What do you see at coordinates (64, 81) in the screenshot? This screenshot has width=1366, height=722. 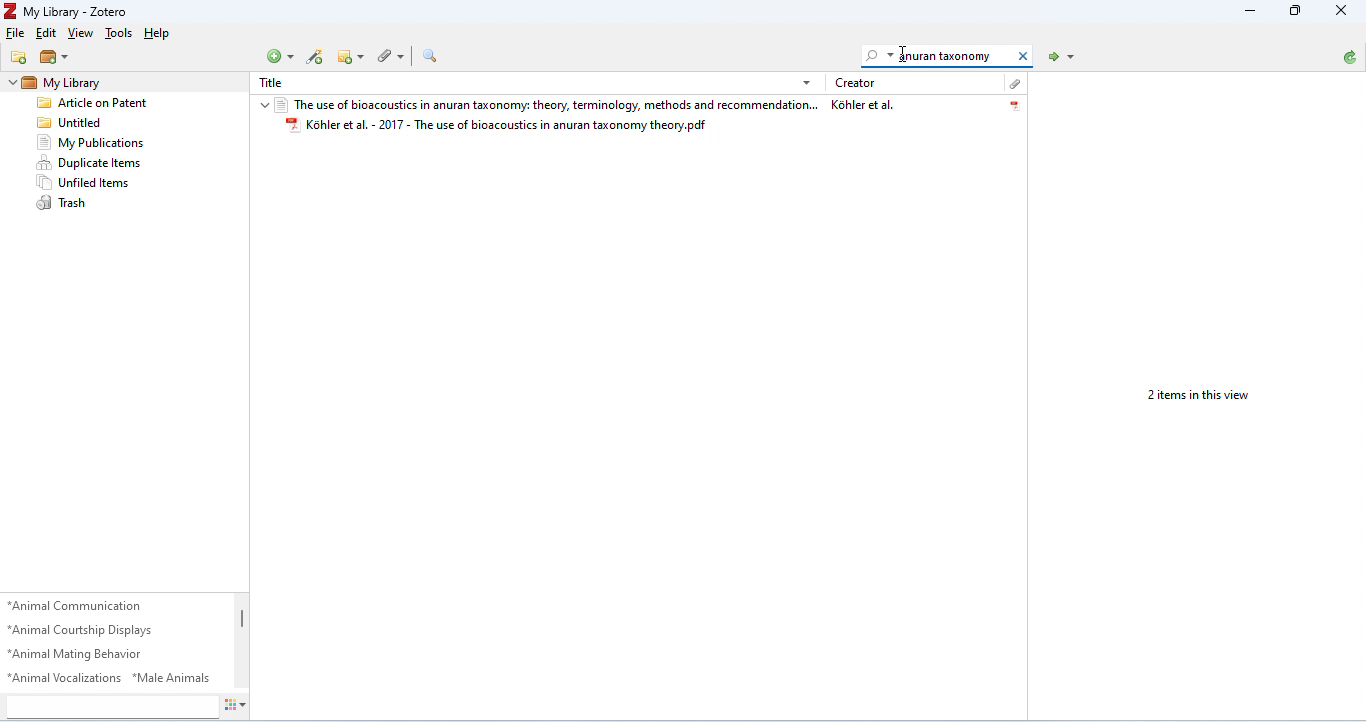 I see `My Library` at bounding box center [64, 81].